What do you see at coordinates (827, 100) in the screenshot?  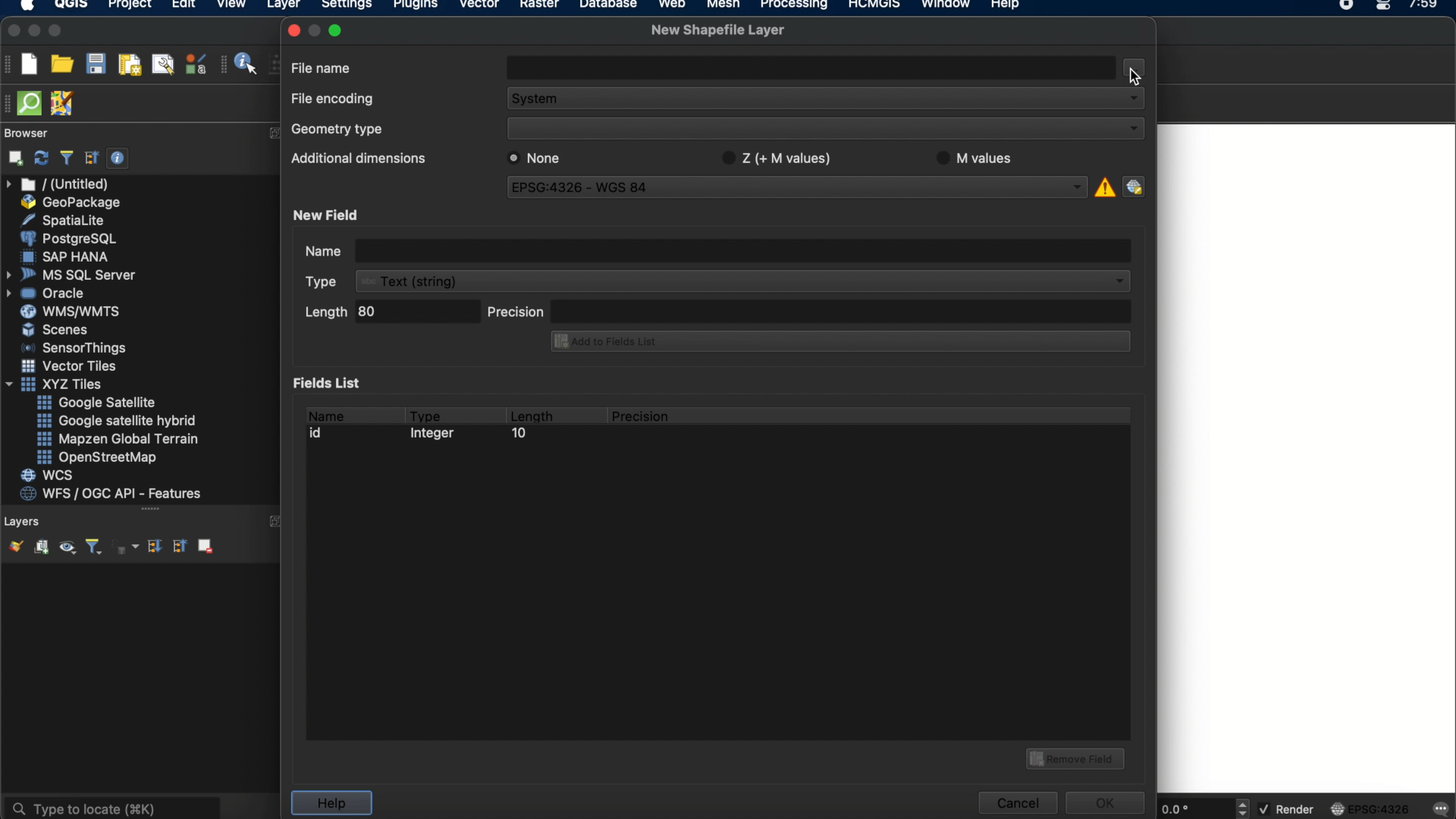 I see `system dropdown menu` at bounding box center [827, 100].